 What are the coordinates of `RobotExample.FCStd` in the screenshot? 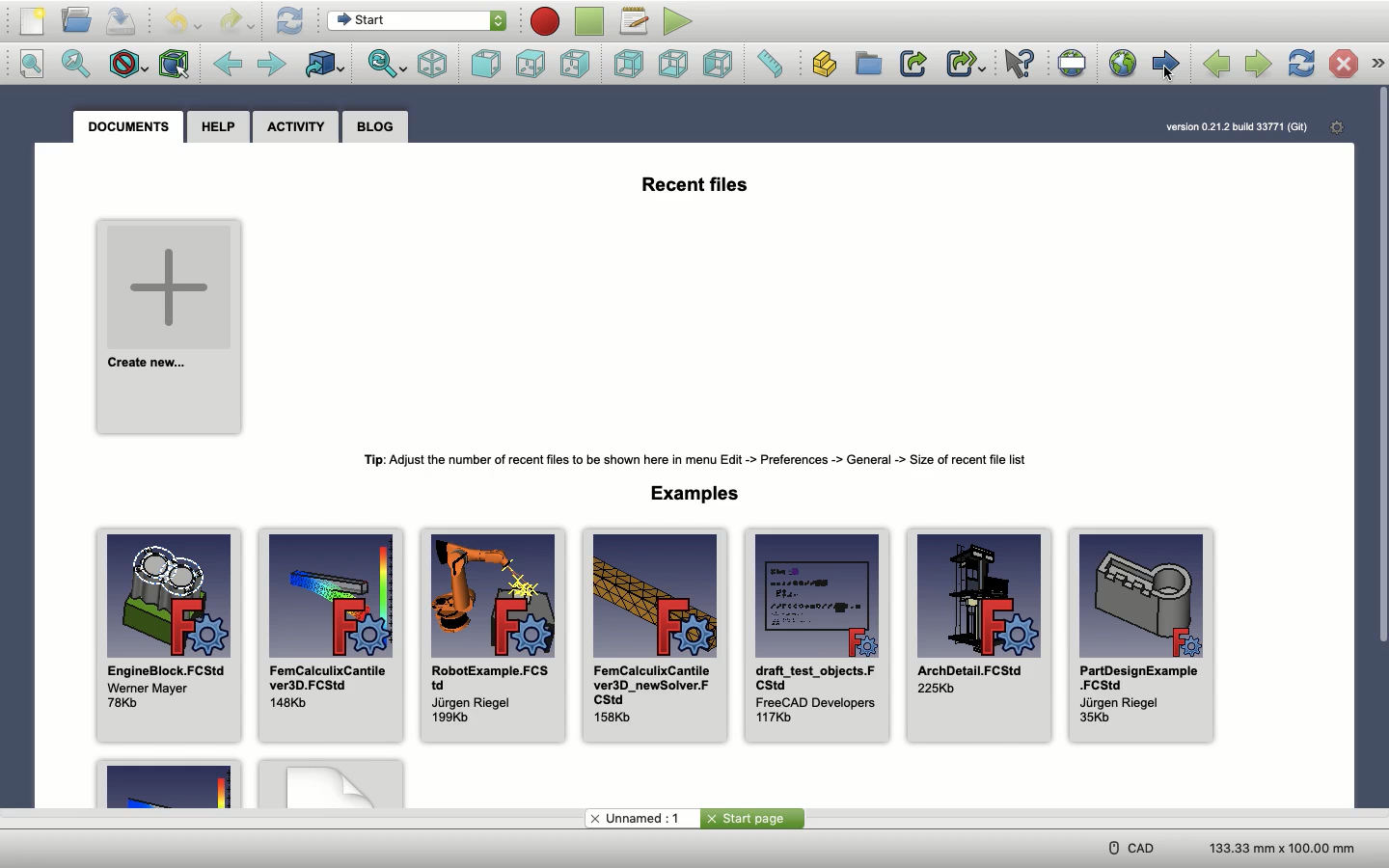 It's located at (496, 641).